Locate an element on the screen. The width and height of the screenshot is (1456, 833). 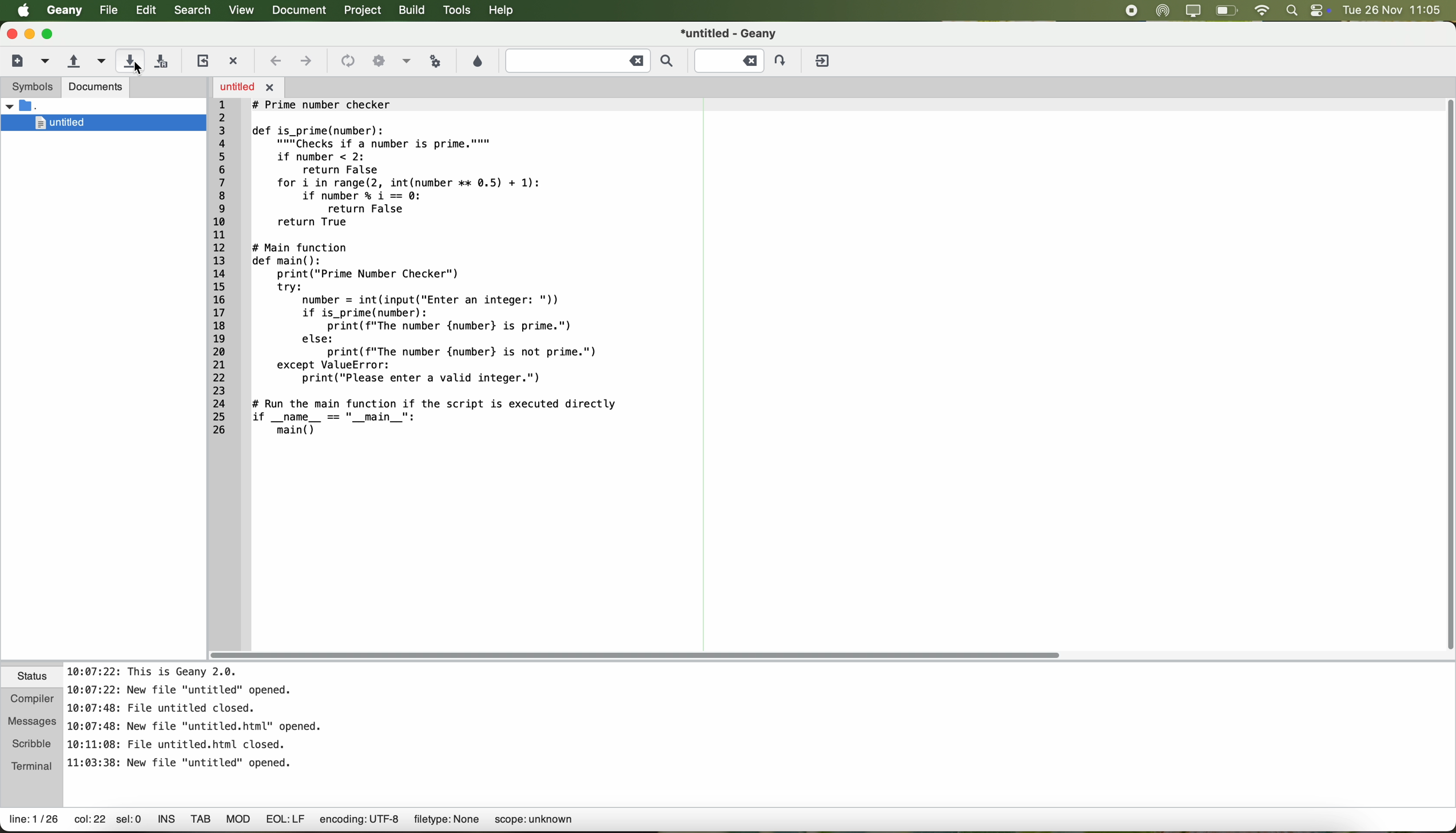
compiler is located at coordinates (33, 697).